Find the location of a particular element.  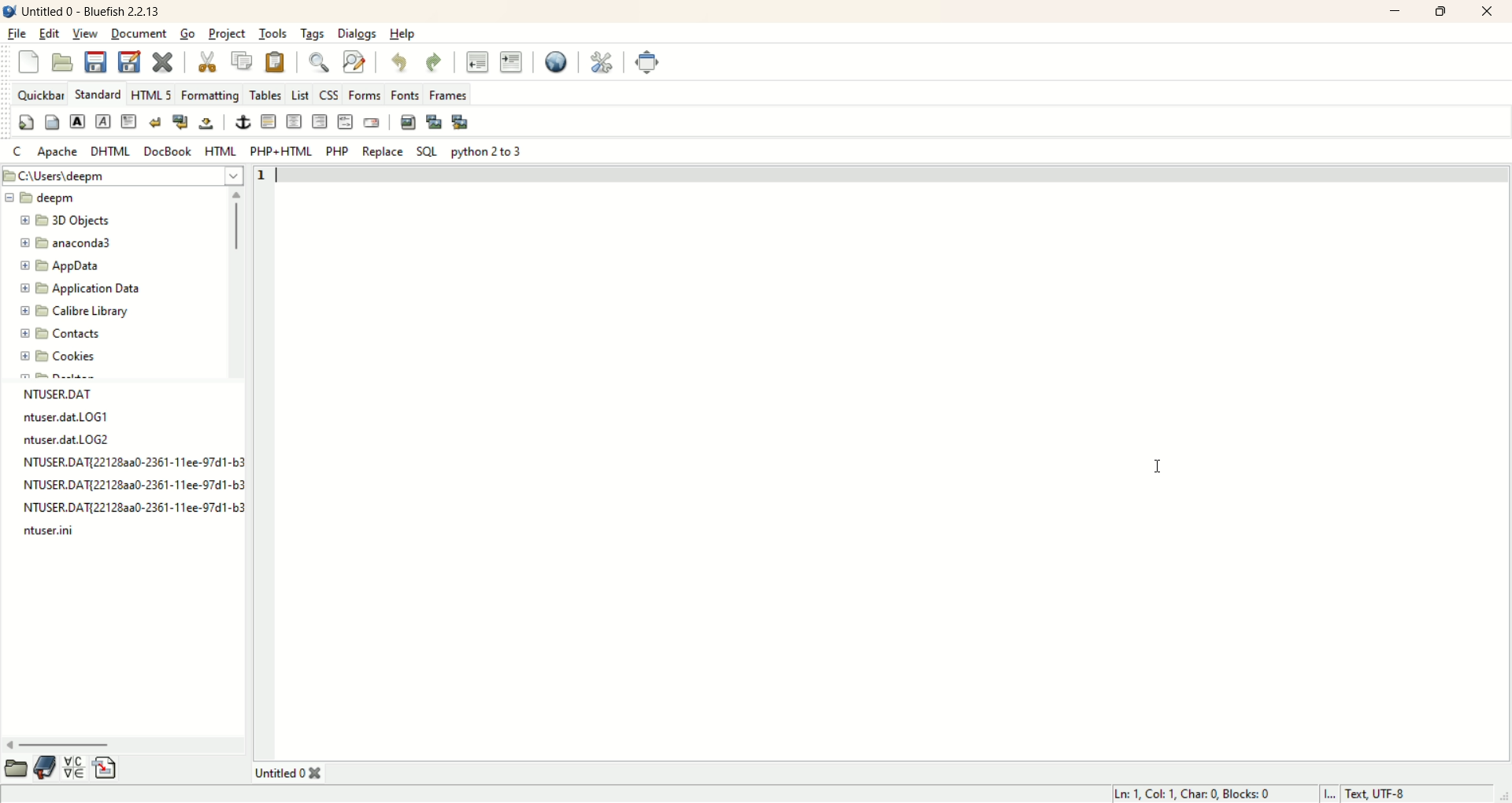

minimize is located at coordinates (1396, 10).